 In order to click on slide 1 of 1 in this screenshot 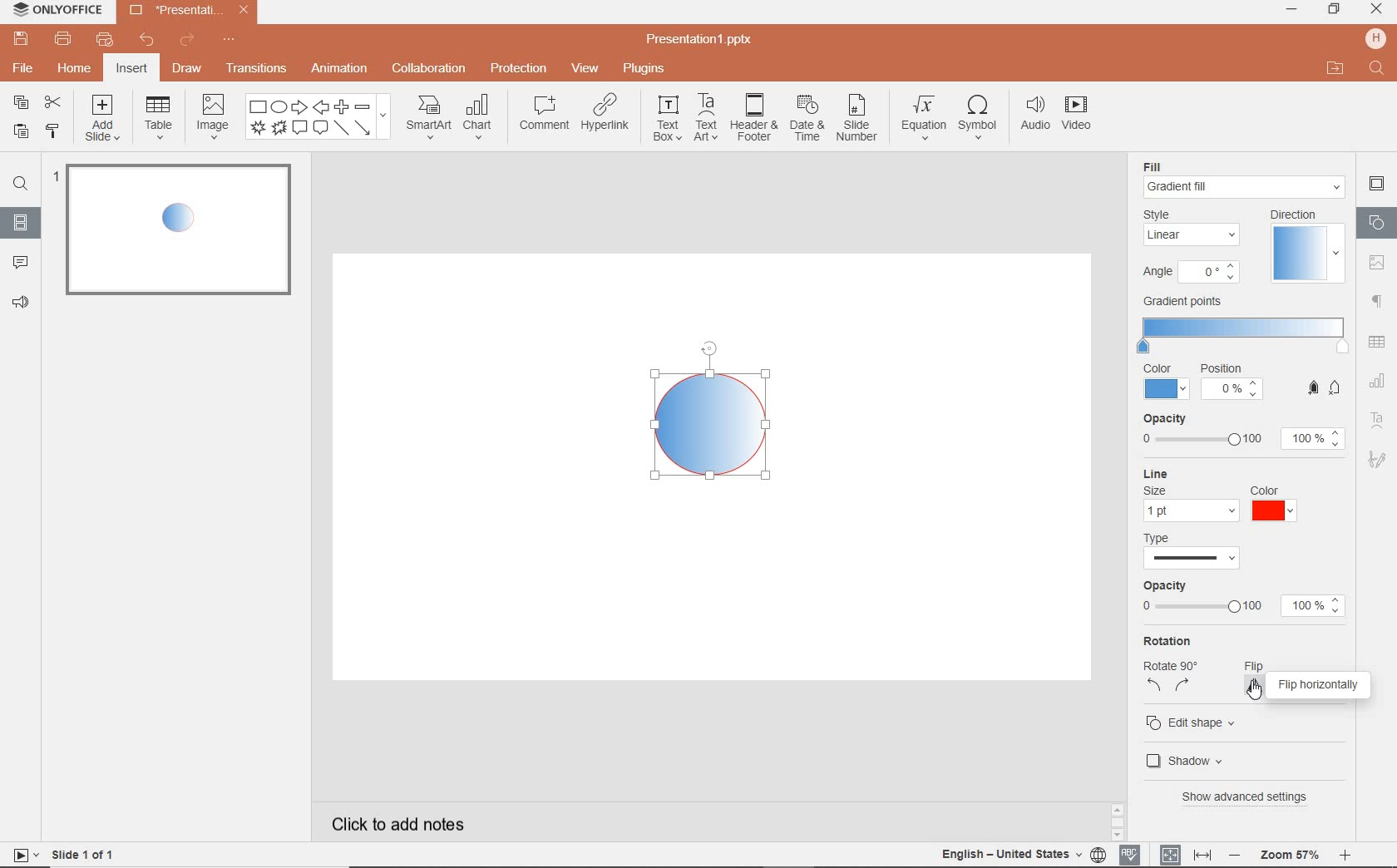, I will do `click(84, 853)`.